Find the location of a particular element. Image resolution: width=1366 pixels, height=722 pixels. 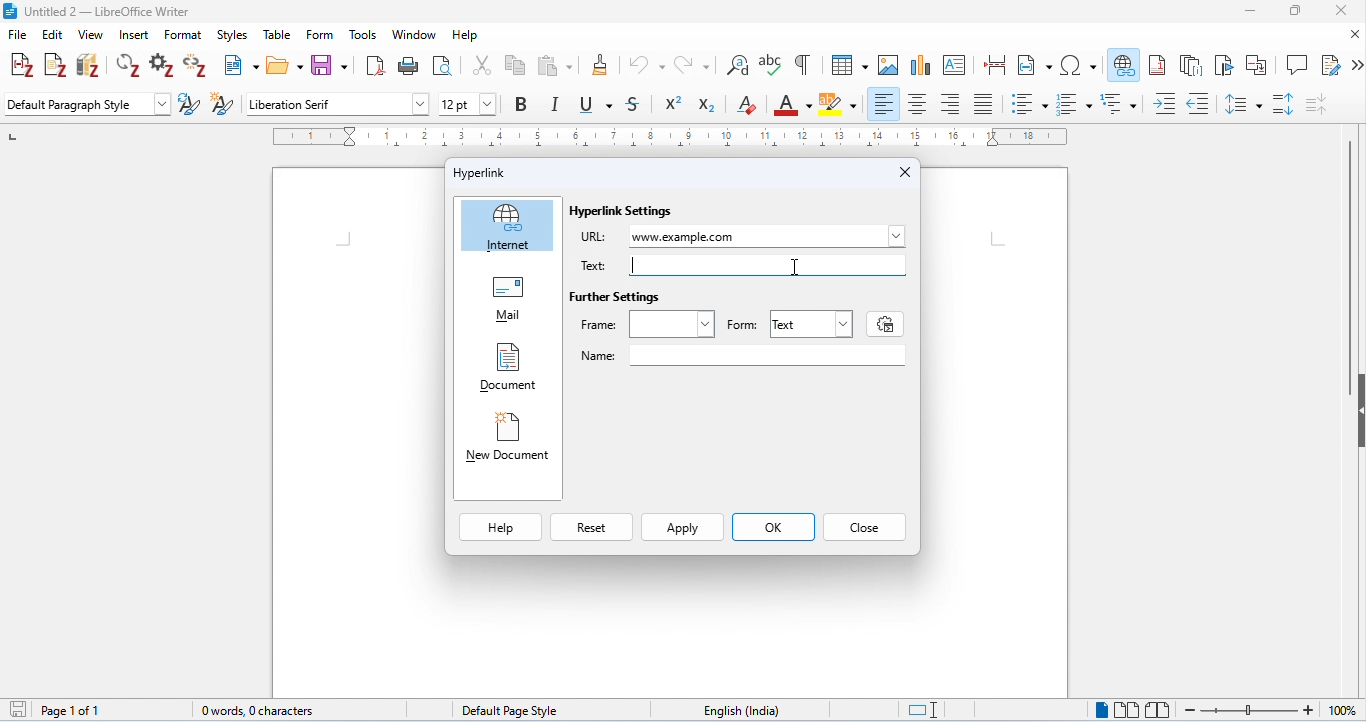

align right is located at coordinates (952, 103).